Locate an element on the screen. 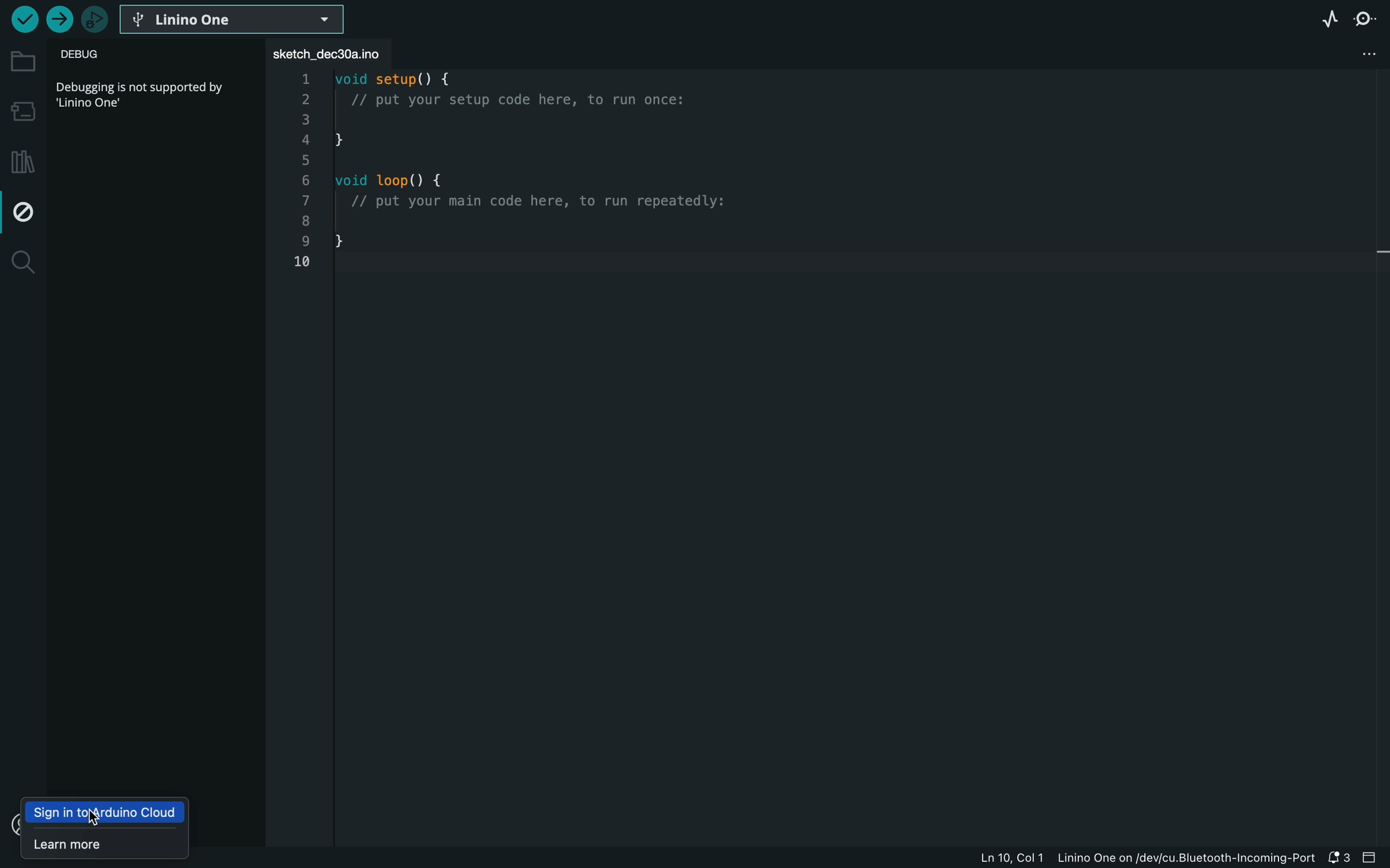 The height and width of the screenshot is (868, 1390). serial monitor is located at coordinates (1366, 20).